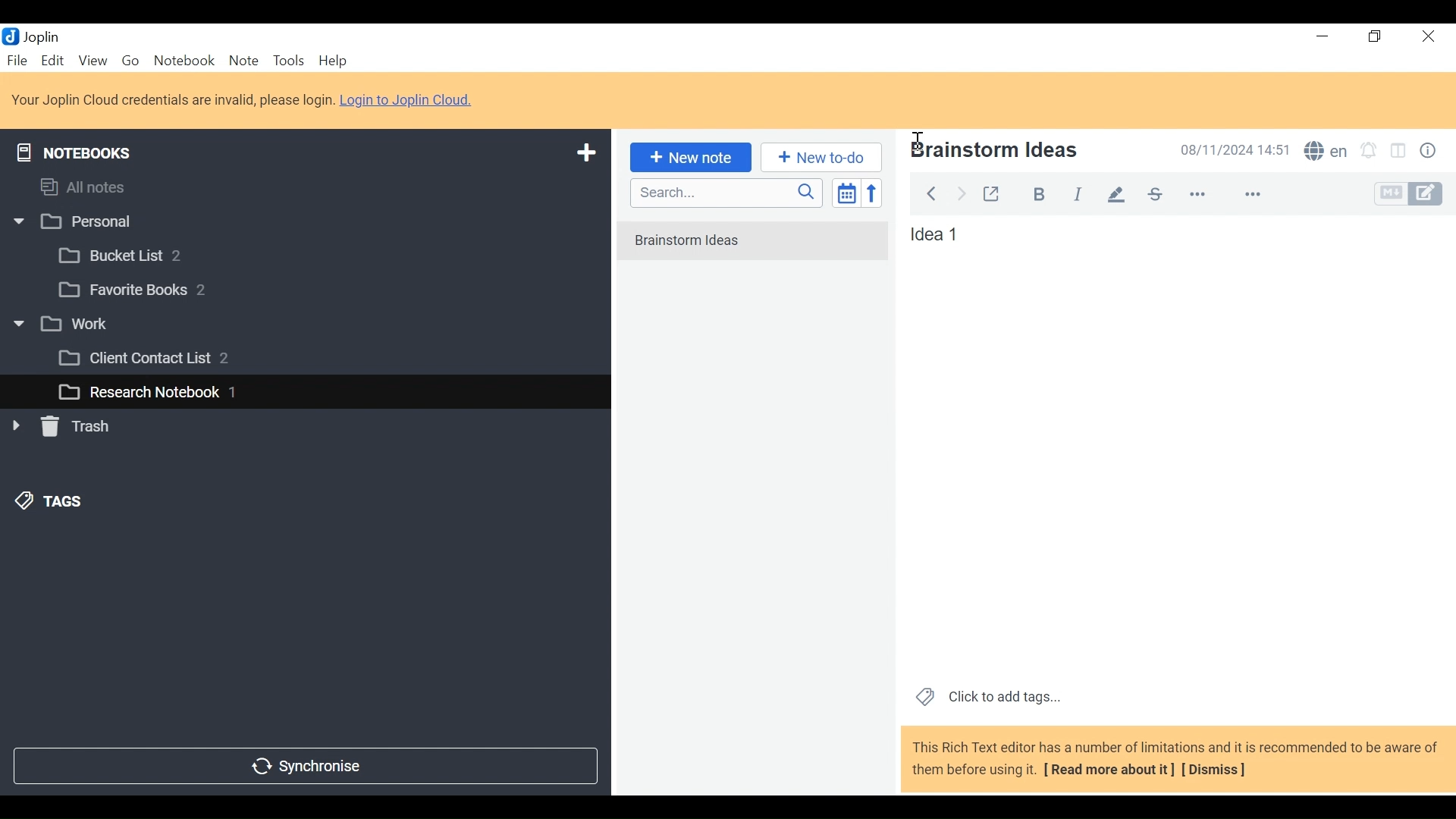 The image size is (1456, 819). I want to click on more options, so click(1207, 195).